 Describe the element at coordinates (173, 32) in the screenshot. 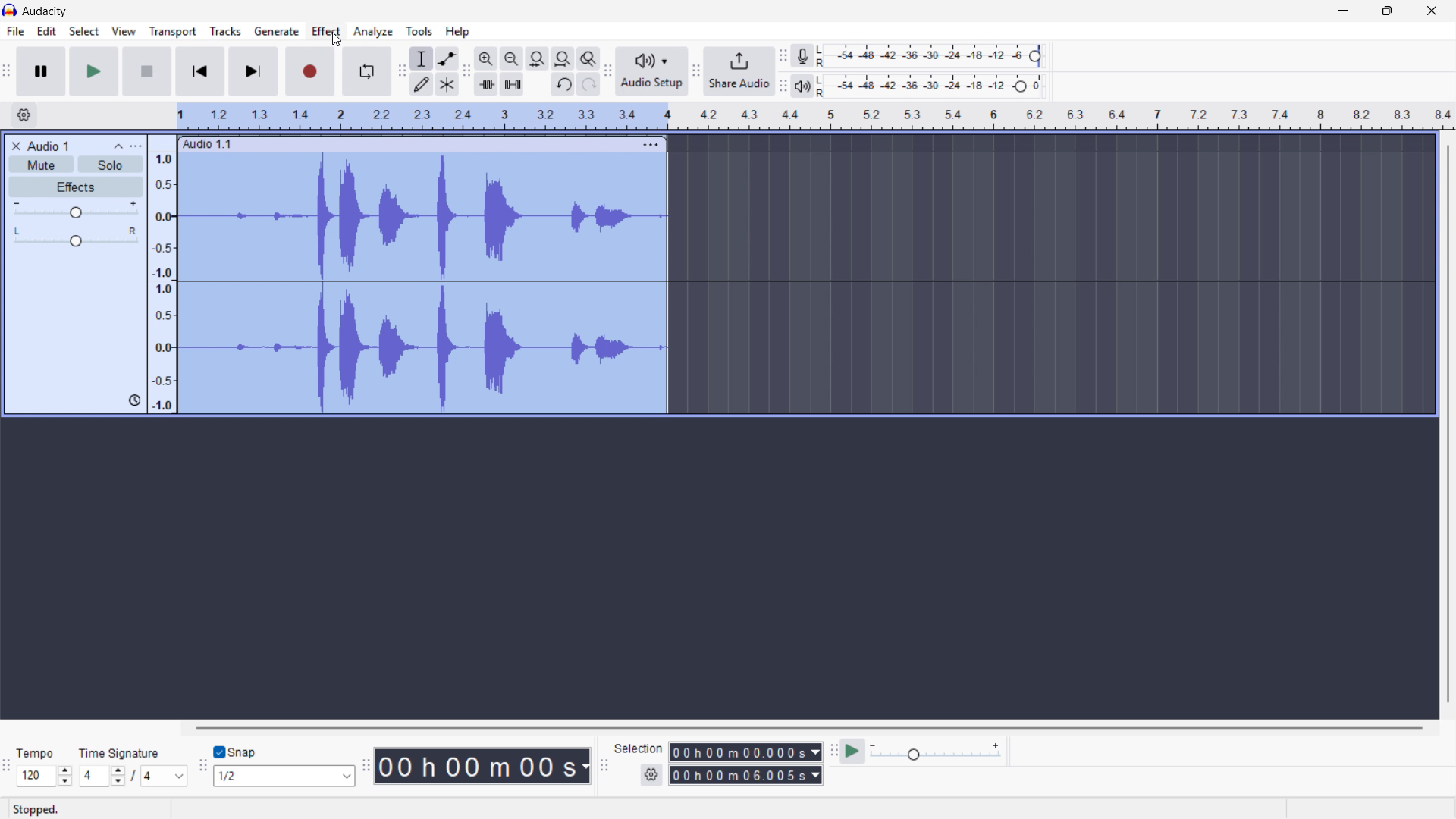

I see `Transport` at that location.